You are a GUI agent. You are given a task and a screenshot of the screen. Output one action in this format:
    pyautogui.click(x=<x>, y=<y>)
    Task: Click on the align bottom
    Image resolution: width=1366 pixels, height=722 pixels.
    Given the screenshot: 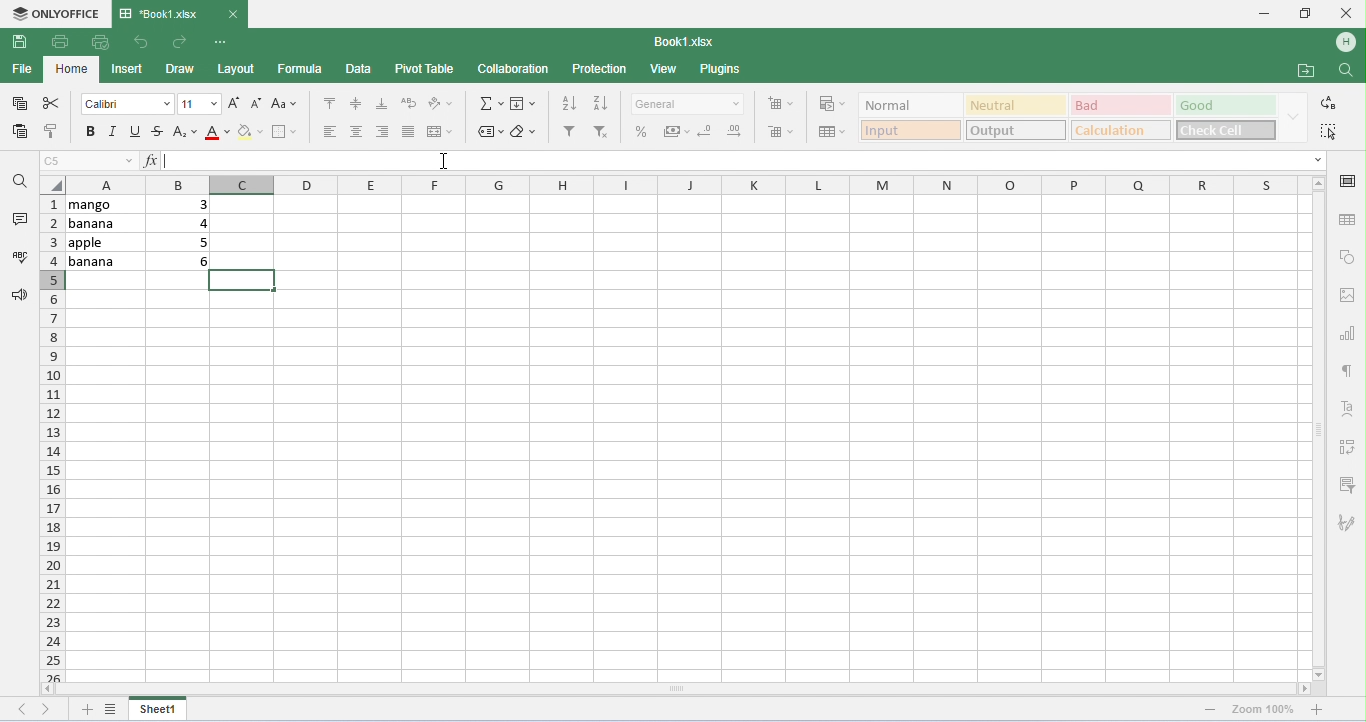 What is the action you would take?
    pyautogui.click(x=382, y=104)
    